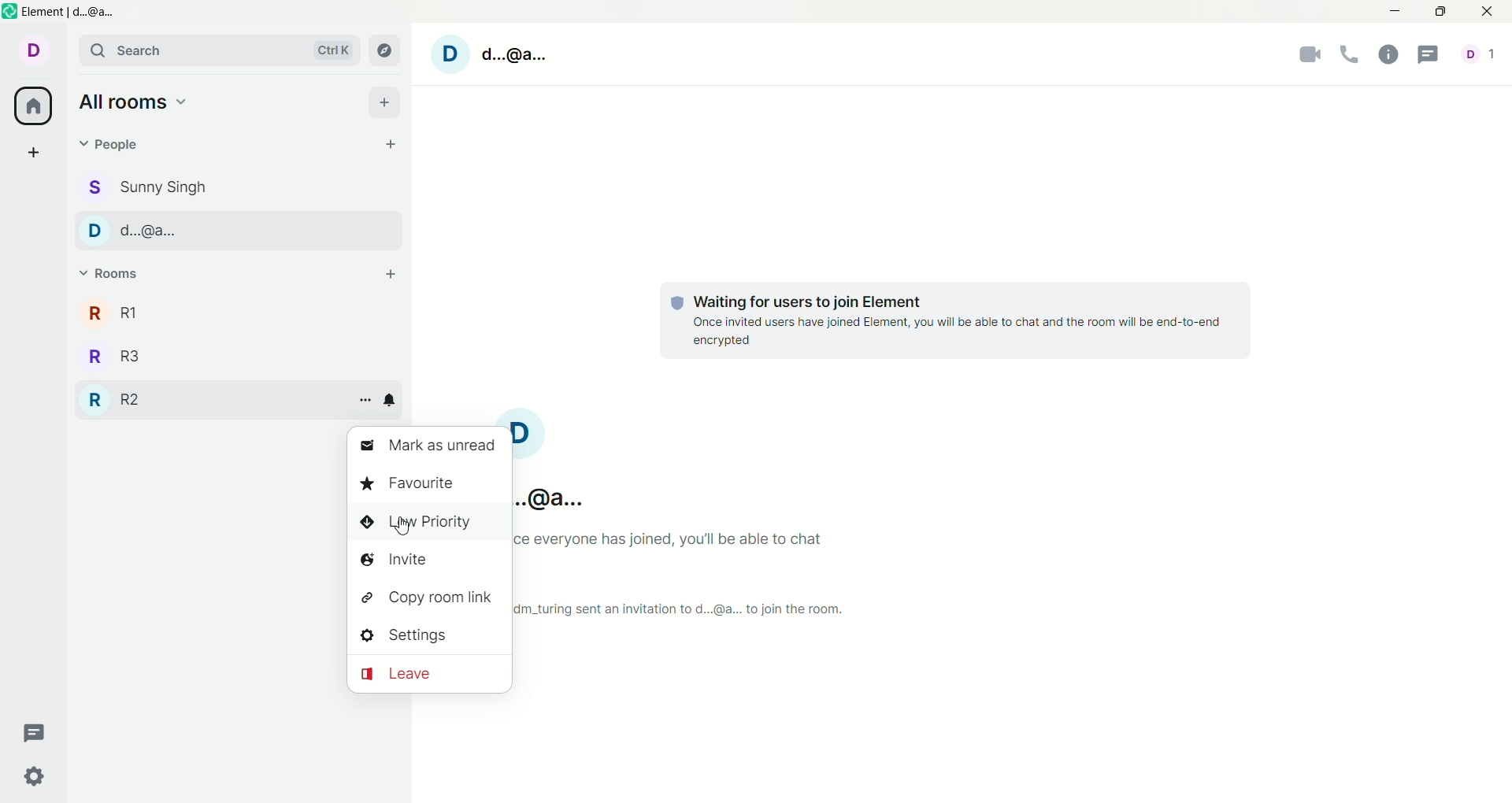 The image size is (1512, 803). What do you see at coordinates (112, 313) in the screenshot?
I see `room 1` at bounding box center [112, 313].